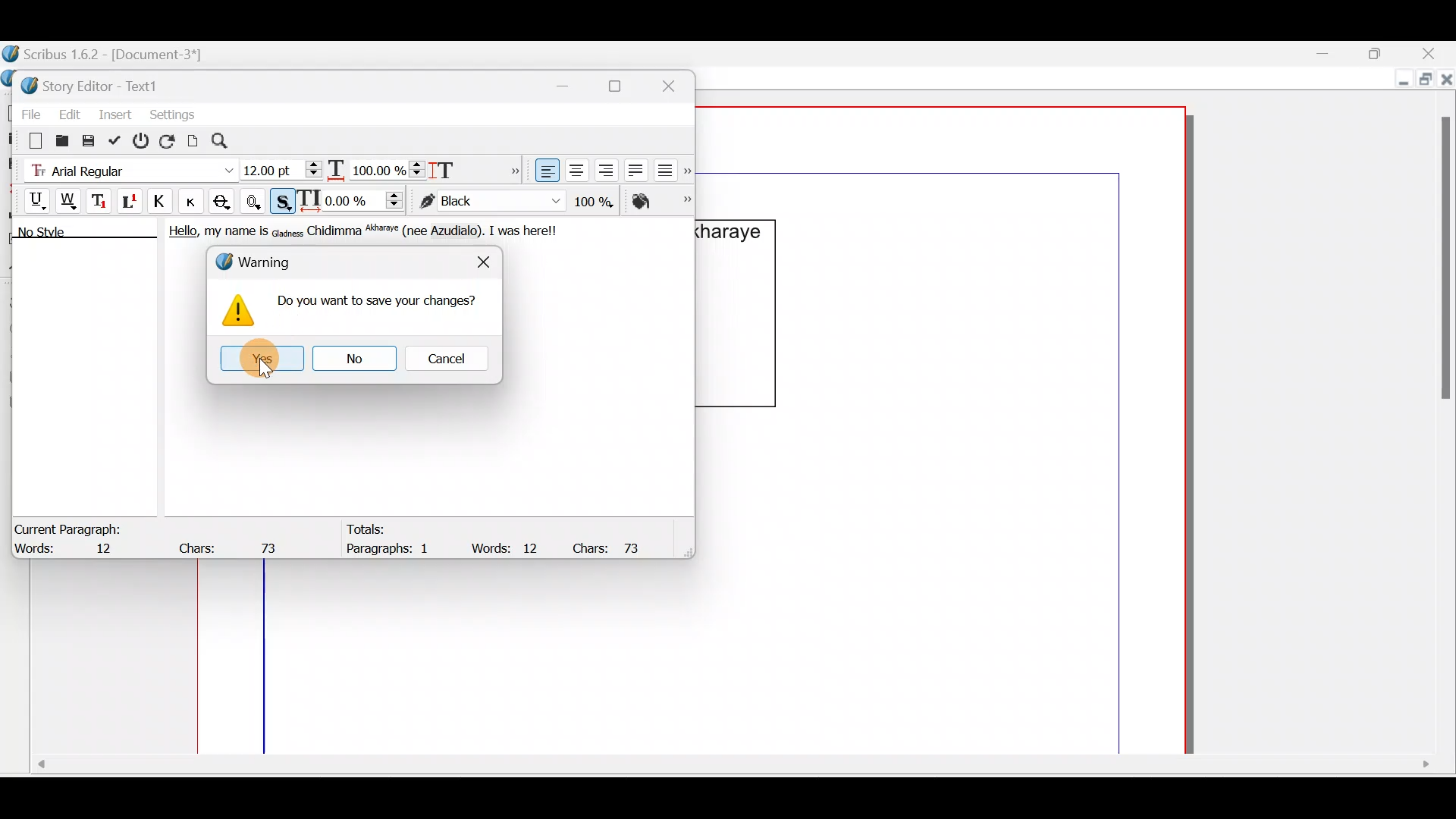  What do you see at coordinates (385, 231) in the screenshot?
I see `Akharaye` at bounding box center [385, 231].